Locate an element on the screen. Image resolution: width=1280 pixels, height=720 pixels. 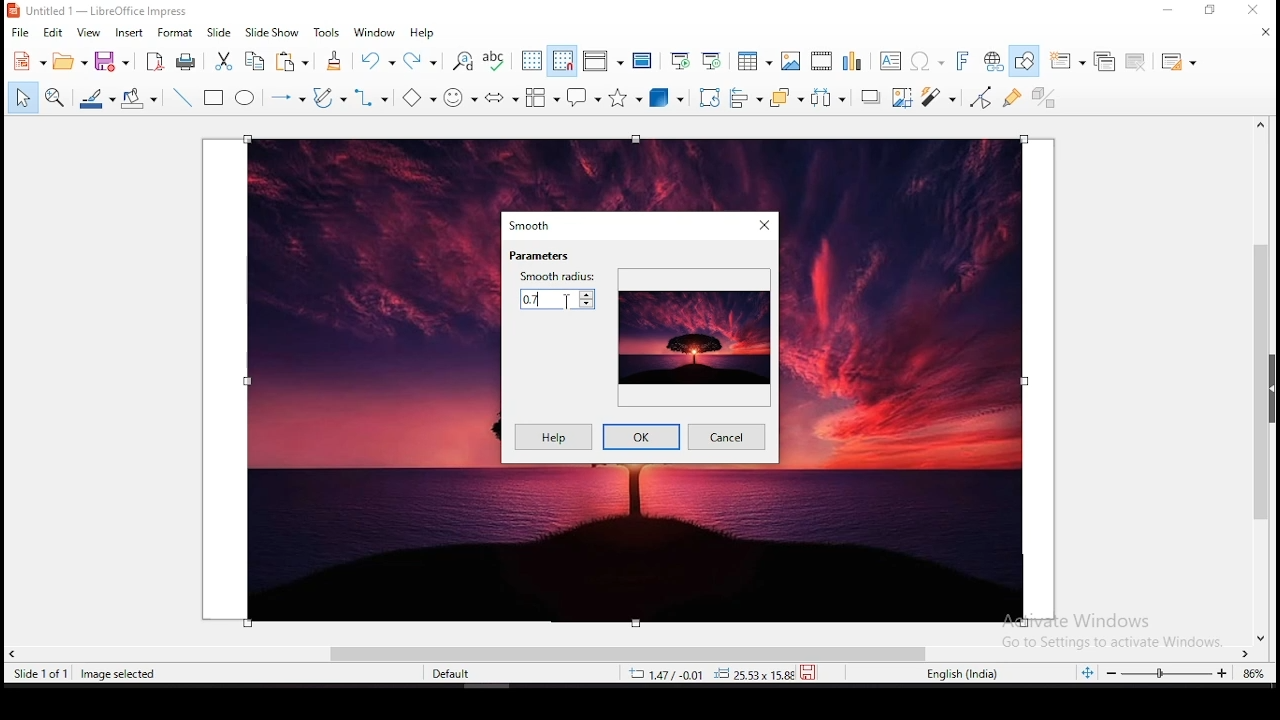
curves and polygons is located at coordinates (330, 98).